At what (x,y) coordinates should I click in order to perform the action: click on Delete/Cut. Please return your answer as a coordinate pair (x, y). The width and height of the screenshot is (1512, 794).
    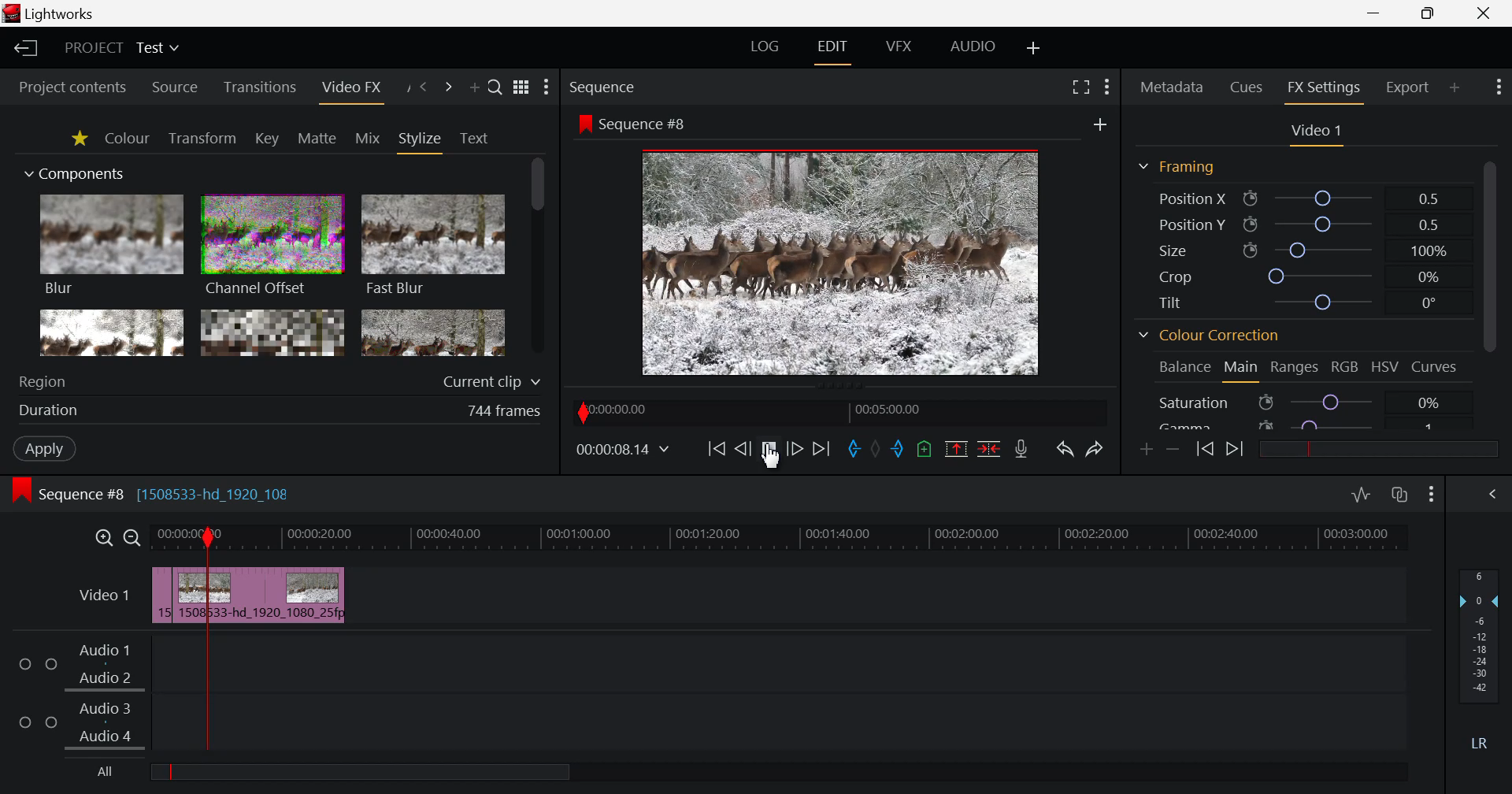
    Looking at the image, I should click on (989, 449).